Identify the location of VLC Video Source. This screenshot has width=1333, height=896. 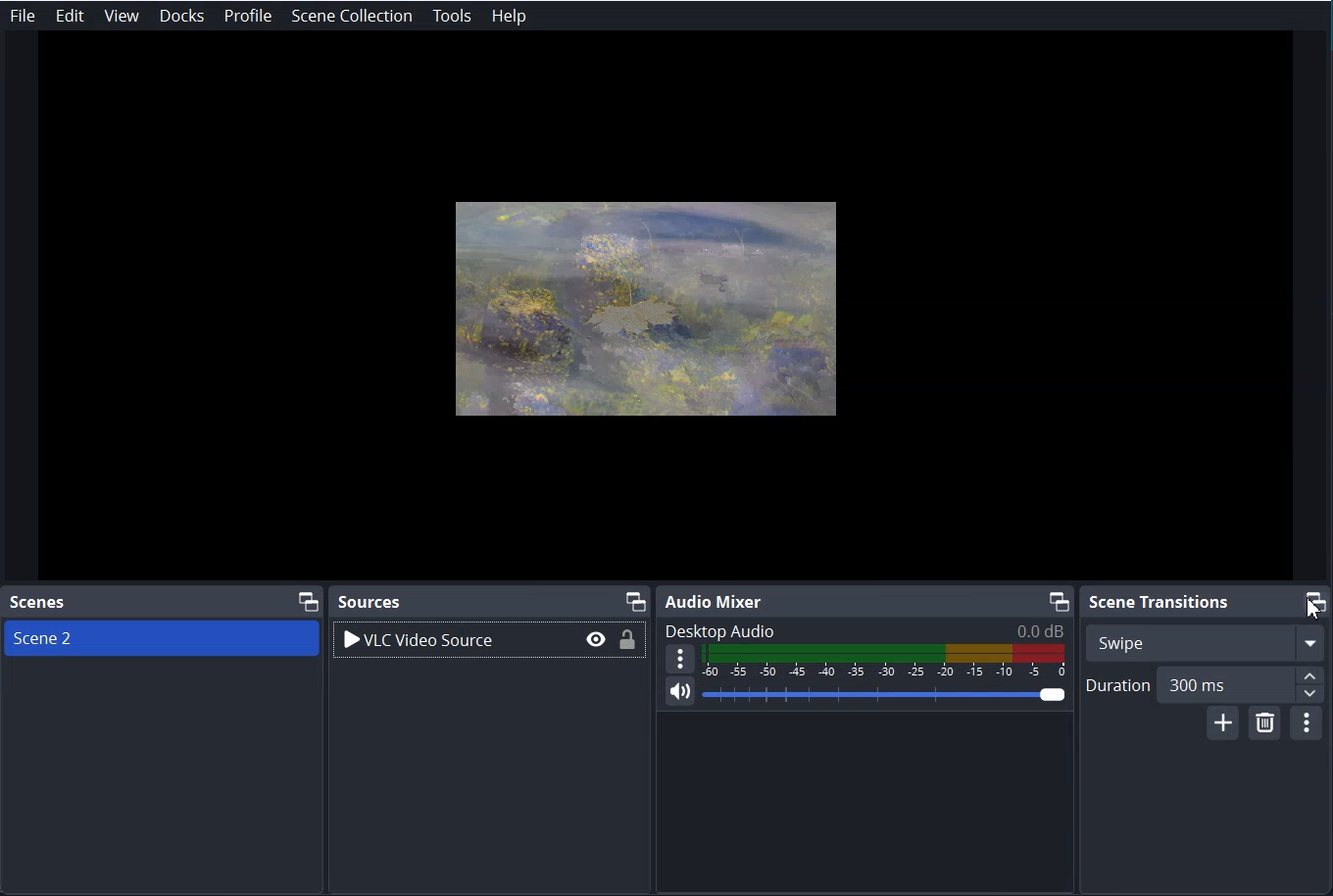
(455, 640).